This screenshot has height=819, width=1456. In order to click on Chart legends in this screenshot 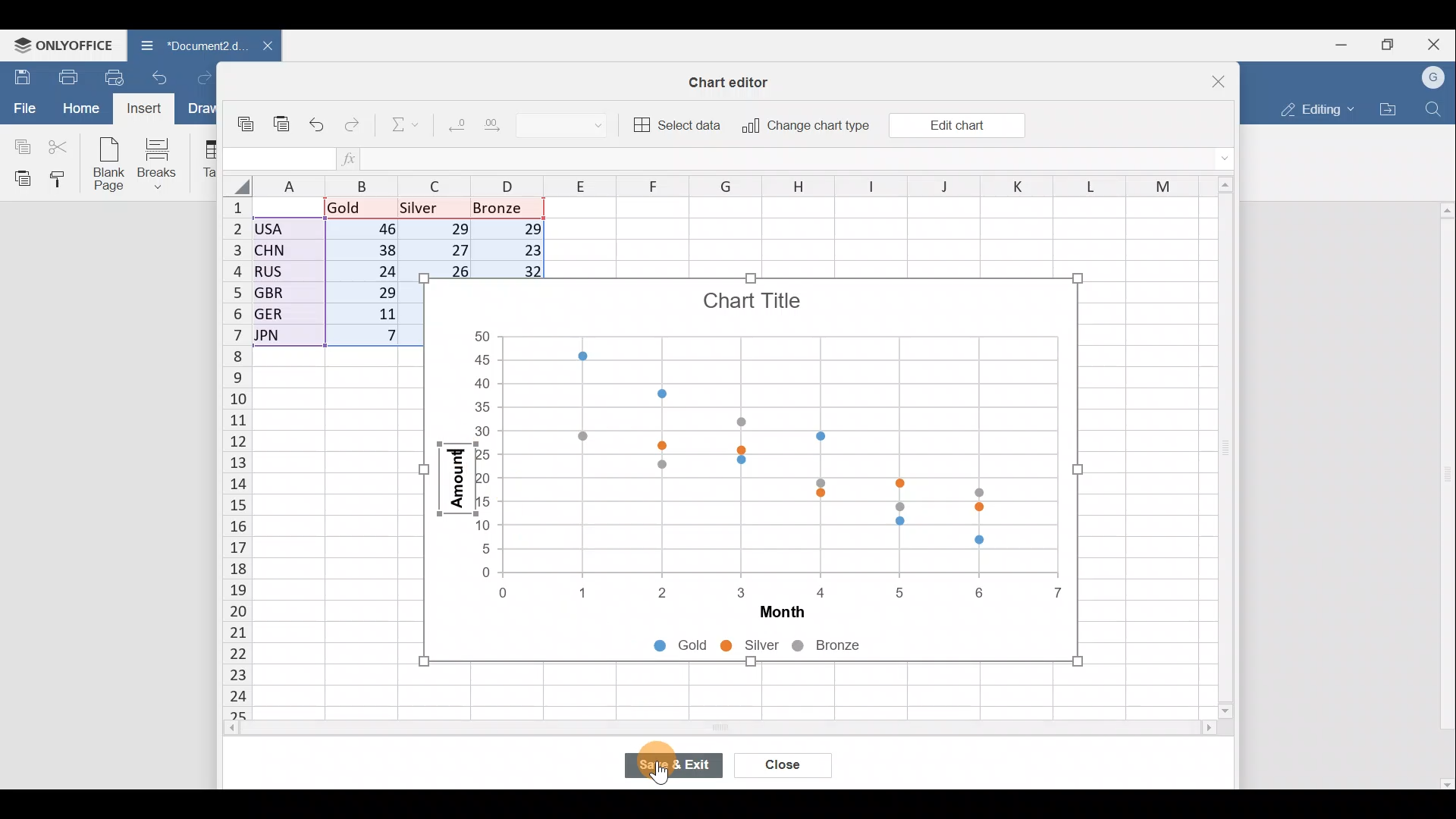, I will do `click(781, 648)`.